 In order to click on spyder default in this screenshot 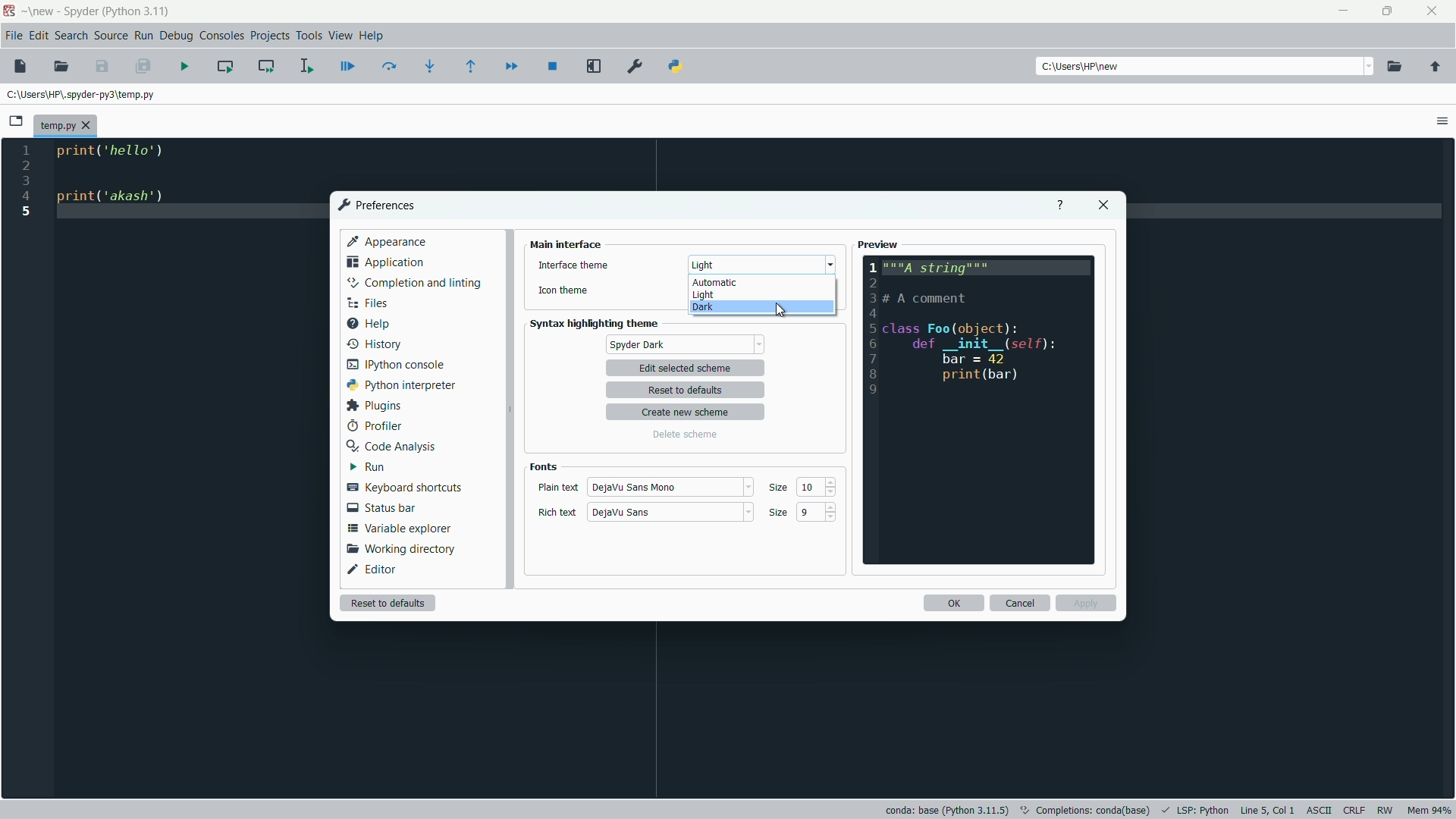, I will do `click(685, 344)`.